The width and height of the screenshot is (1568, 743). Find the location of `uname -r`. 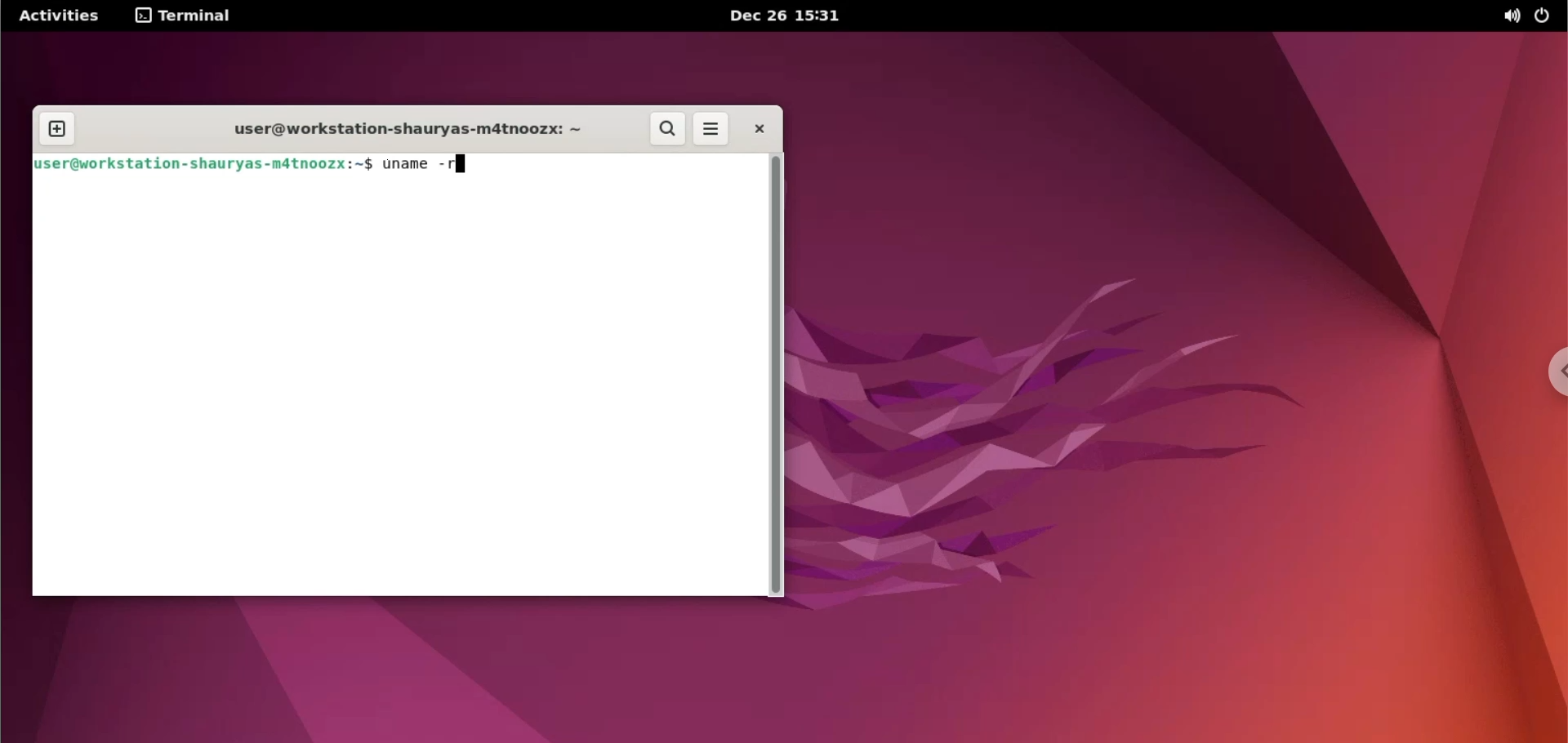

uname -r is located at coordinates (422, 163).